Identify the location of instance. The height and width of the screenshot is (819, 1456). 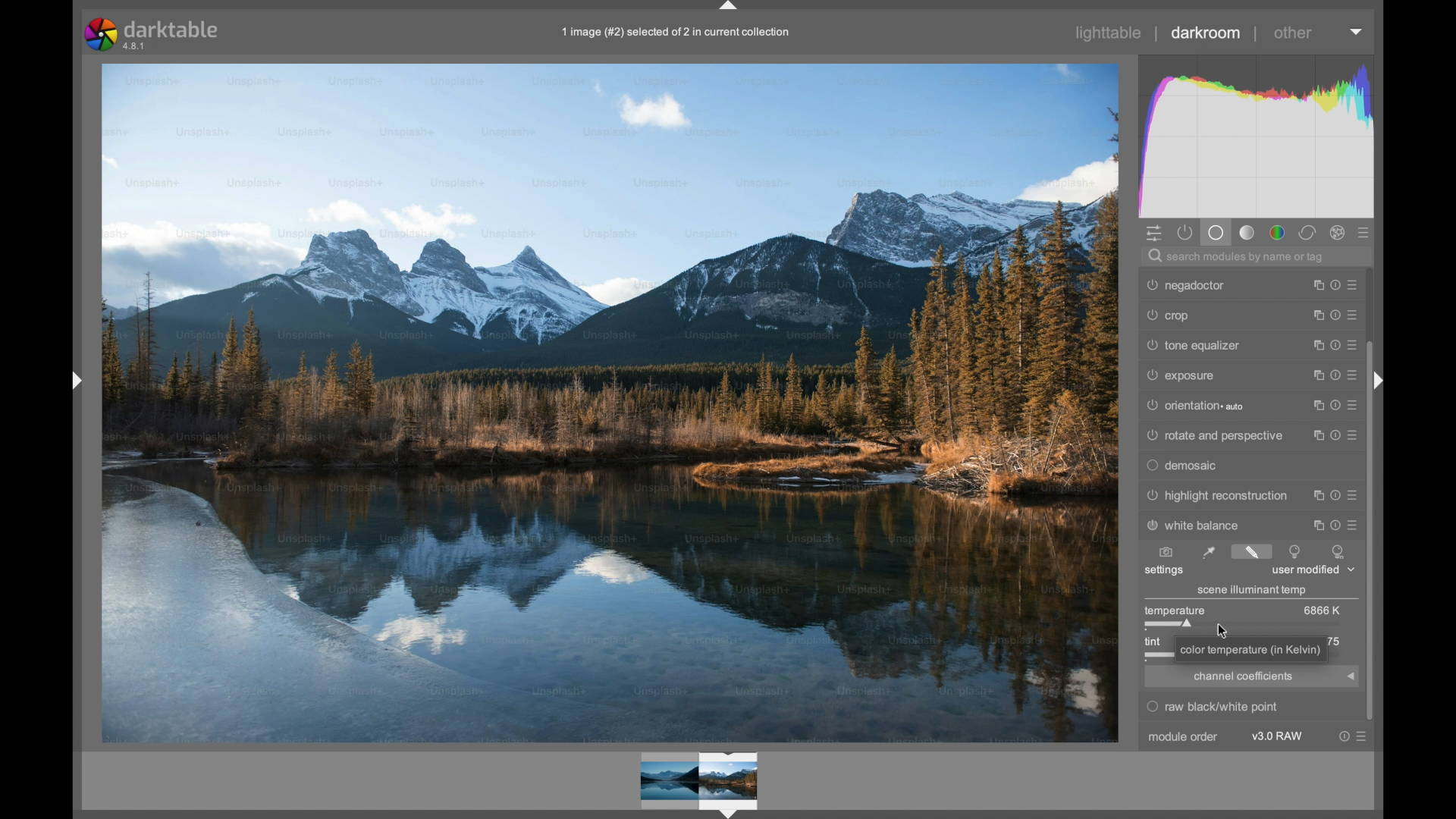
(1315, 432).